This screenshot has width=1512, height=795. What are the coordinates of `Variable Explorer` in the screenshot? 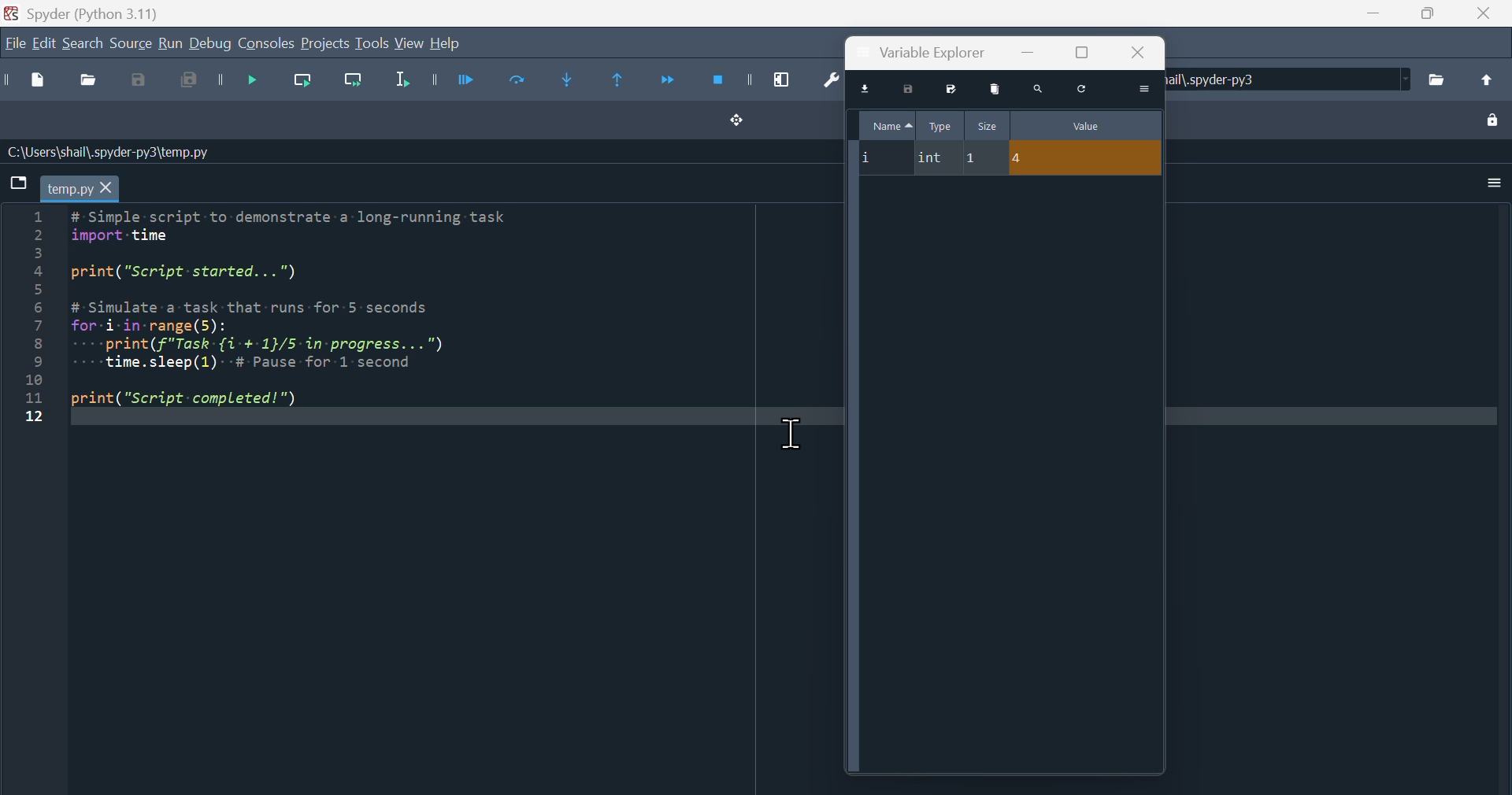 It's located at (930, 53).